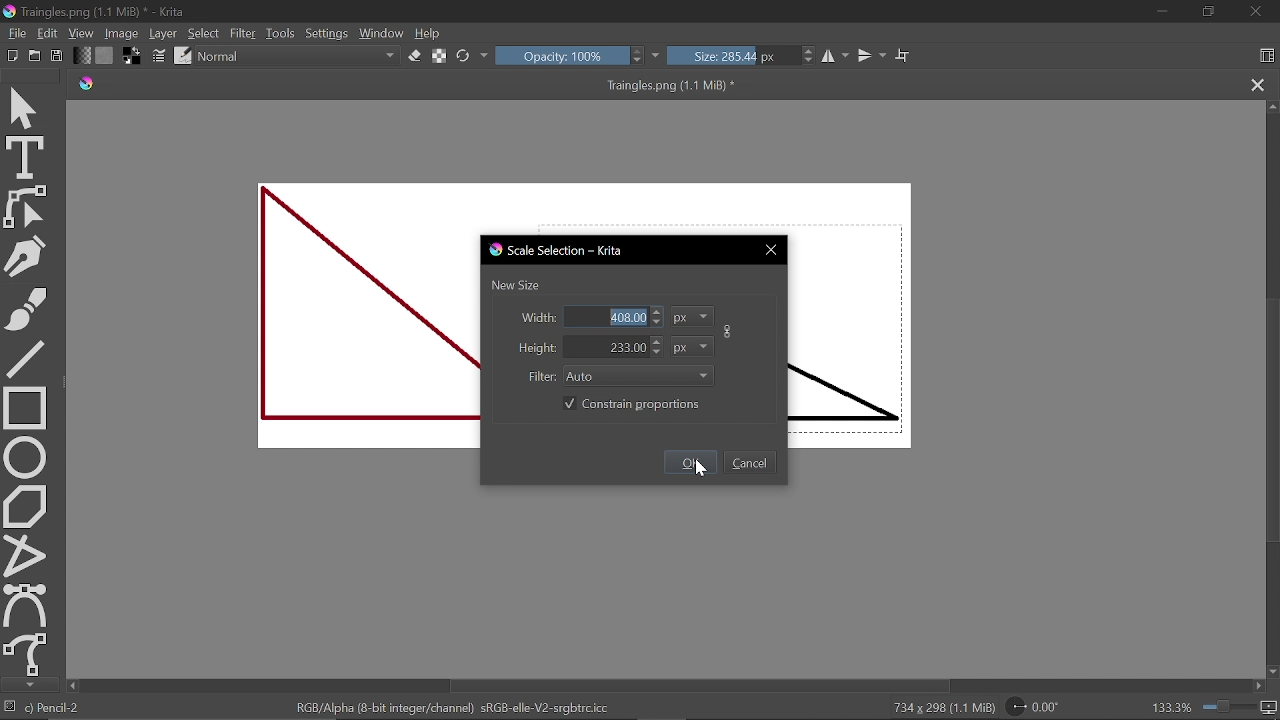 The height and width of the screenshot is (720, 1280). What do you see at coordinates (692, 462) in the screenshot?
I see `Ok` at bounding box center [692, 462].